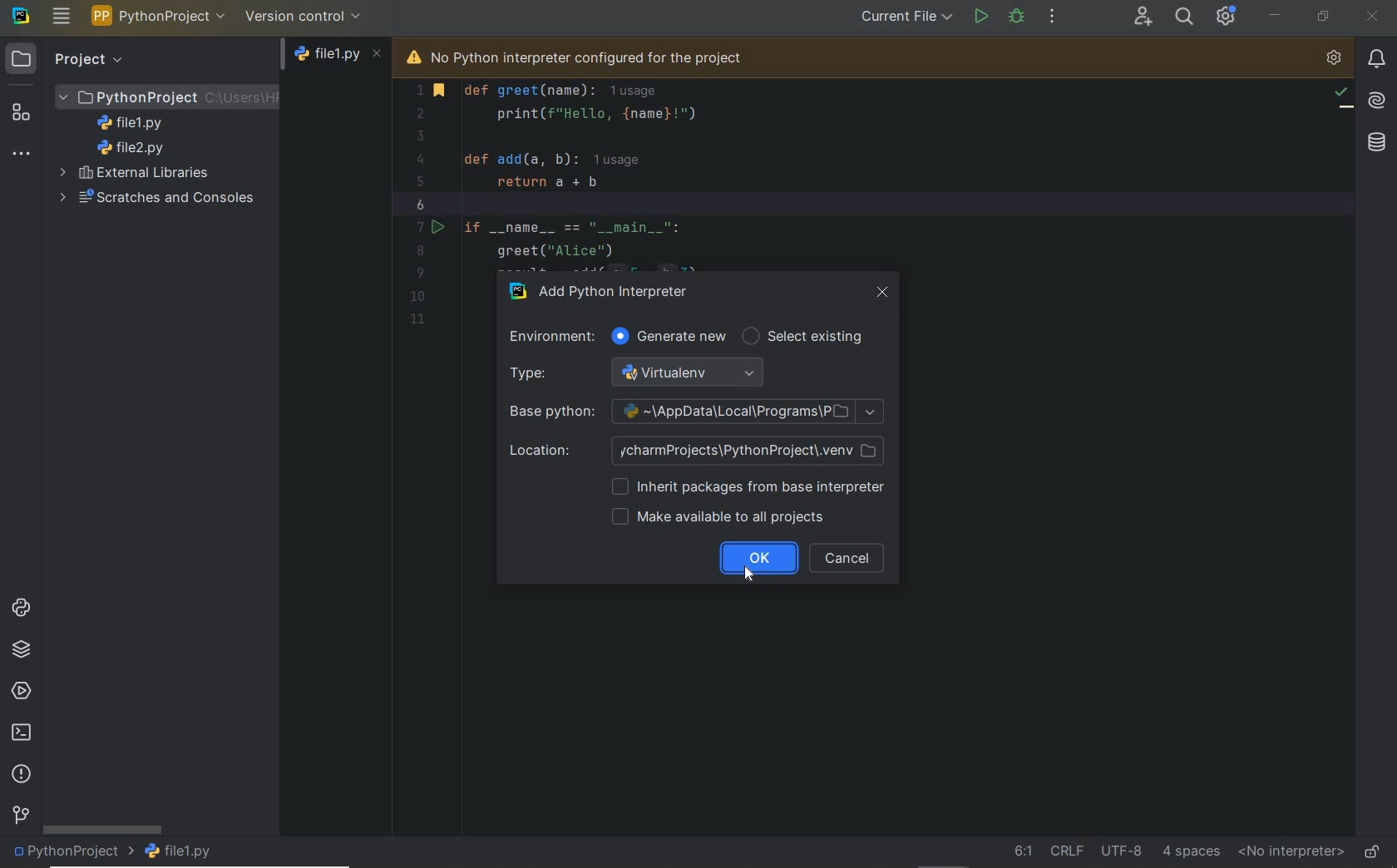 The image size is (1397, 868). I want to click on notifications, so click(1376, 58).